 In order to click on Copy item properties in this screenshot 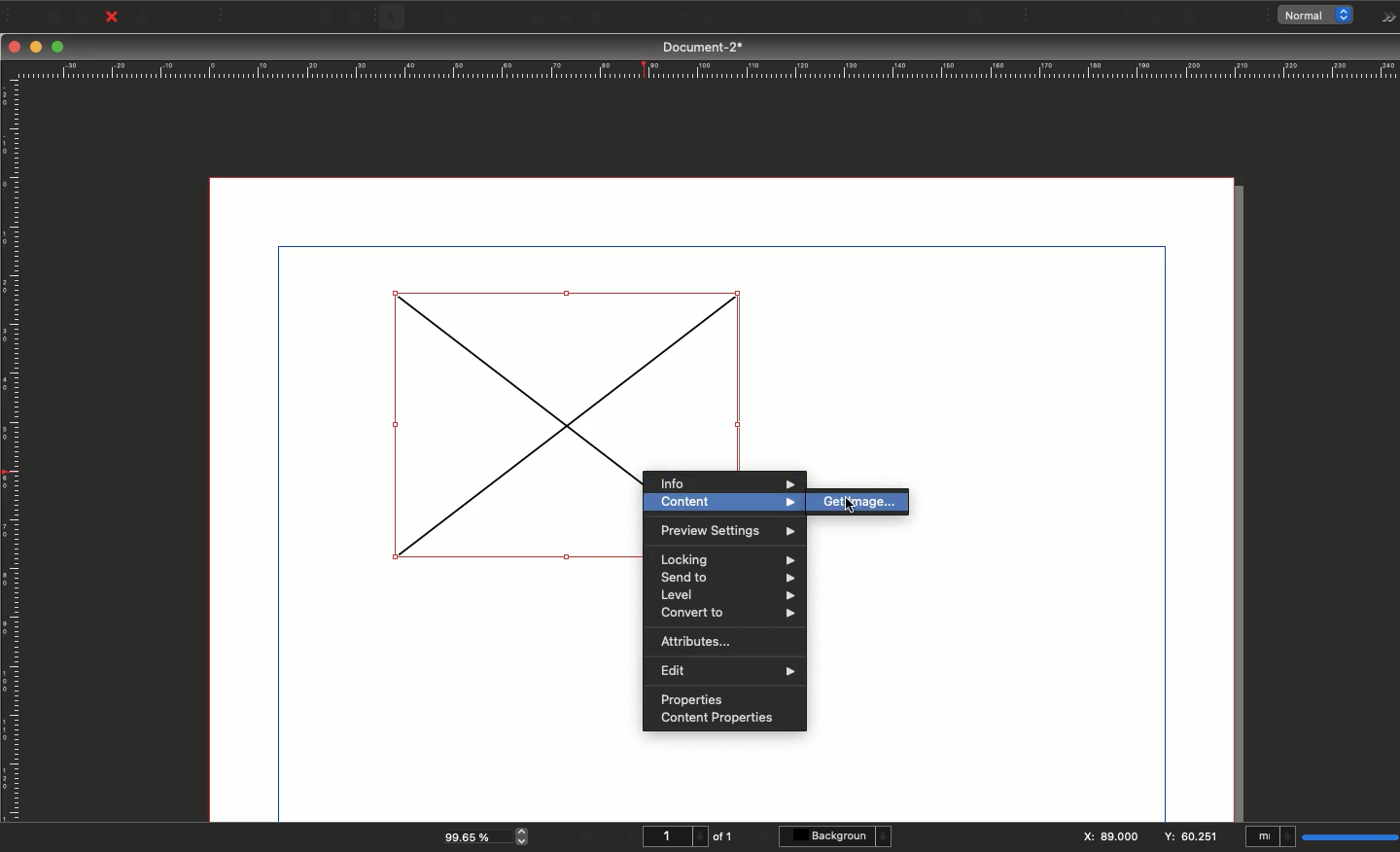, I will do `click(972, 18)`.